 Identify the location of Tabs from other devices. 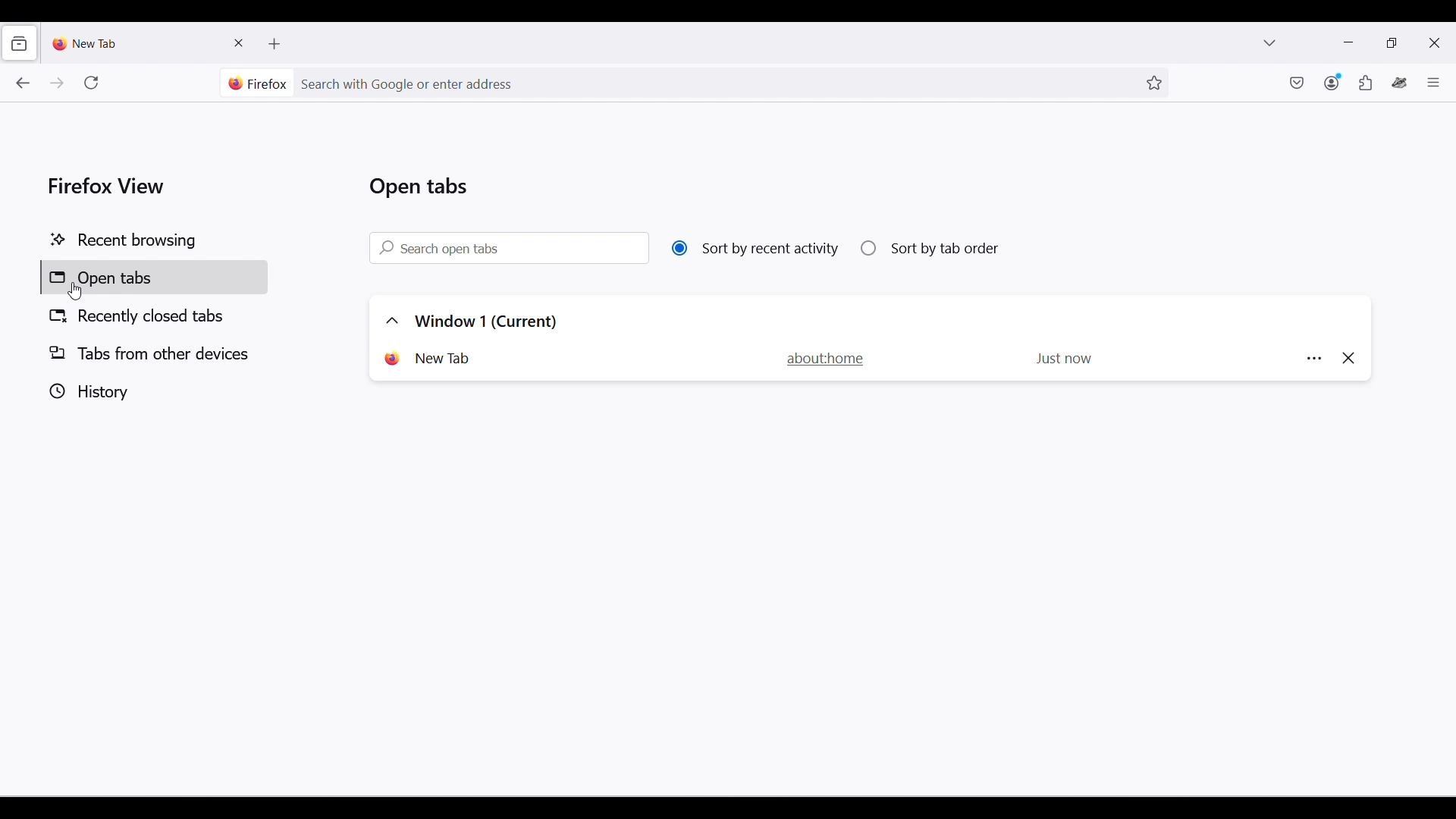
(153, 353).